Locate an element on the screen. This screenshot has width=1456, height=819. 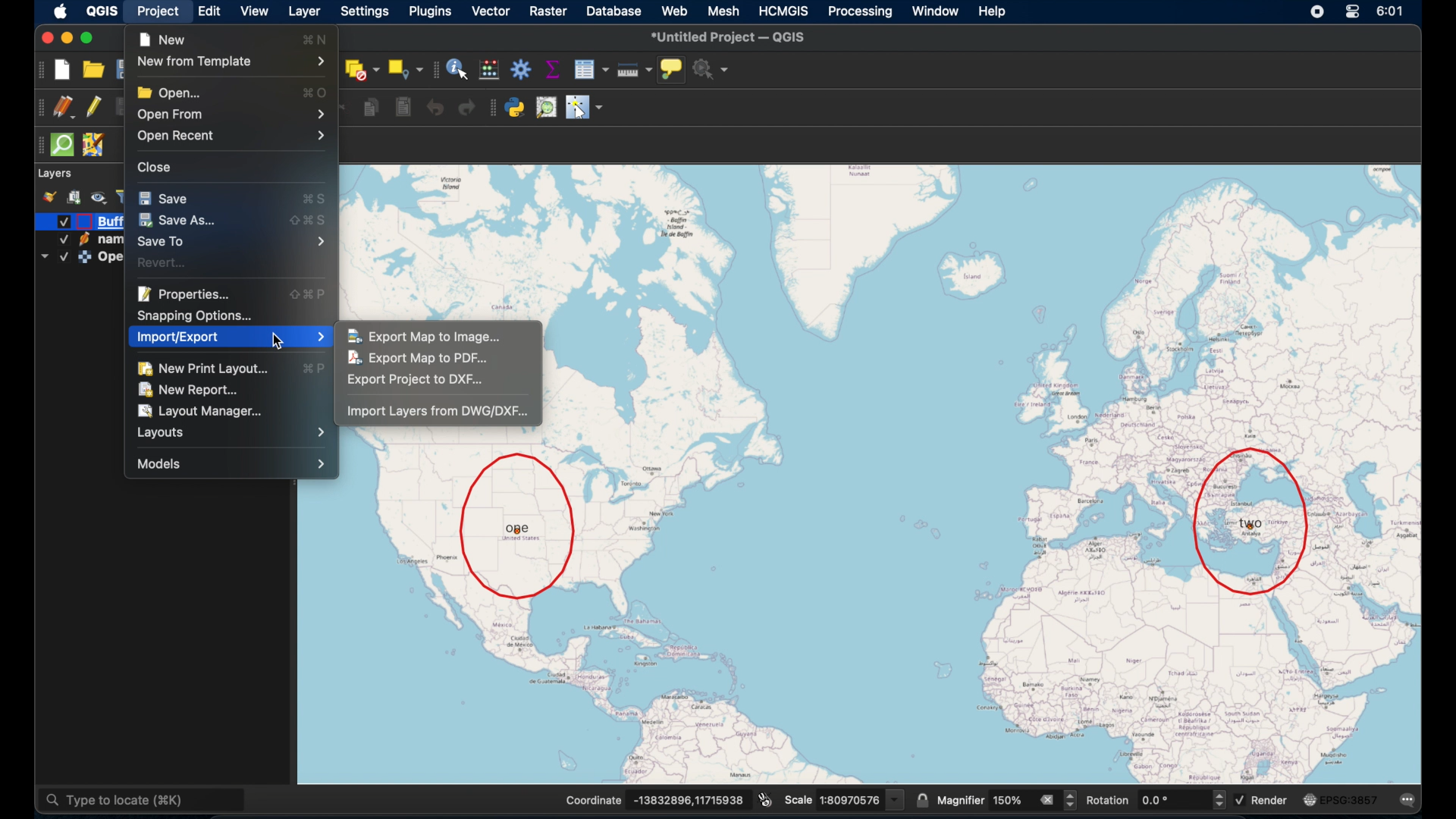
revert is located at coordinates (165, 262).